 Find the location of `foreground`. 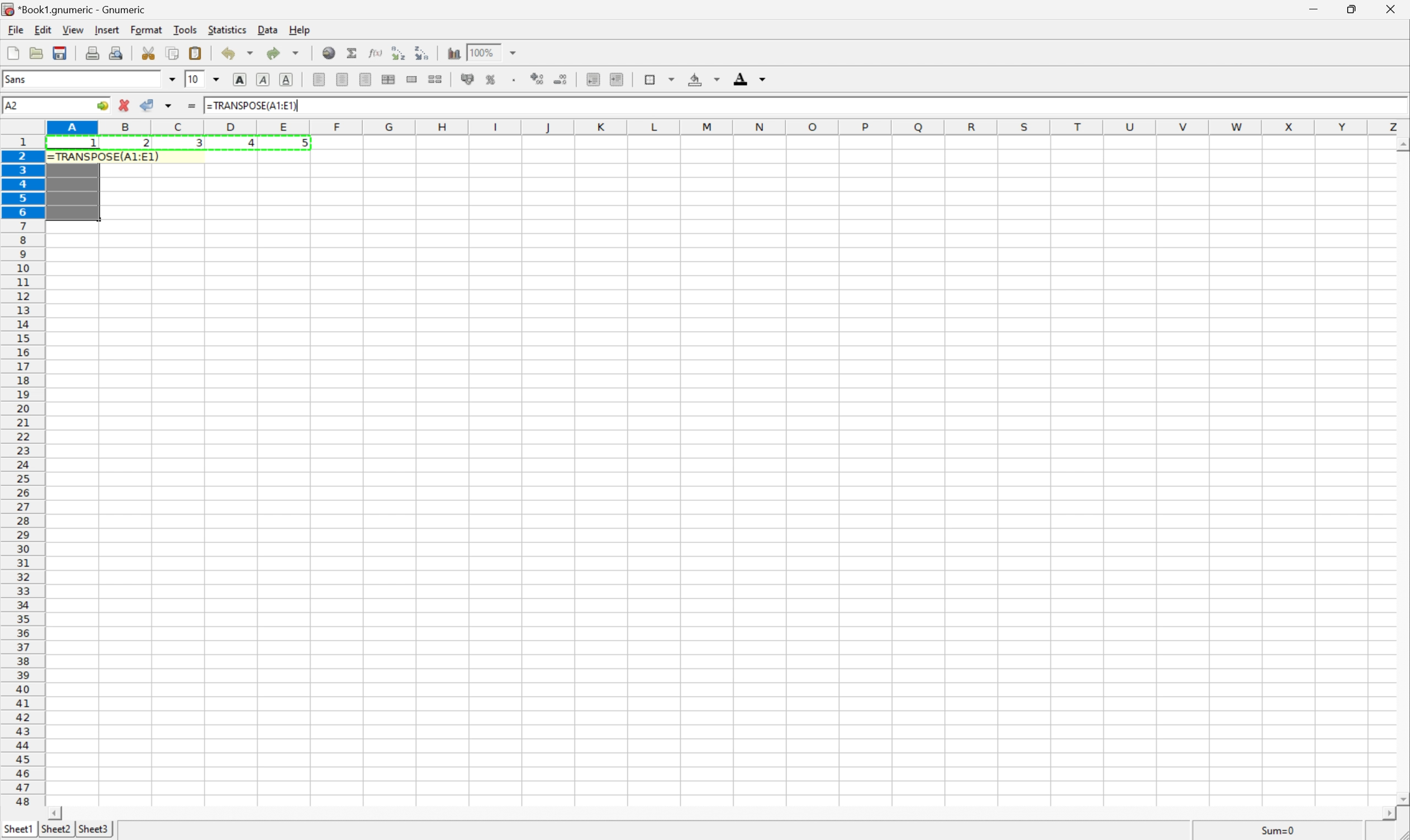

foreground is located at coordinates (752, 80).